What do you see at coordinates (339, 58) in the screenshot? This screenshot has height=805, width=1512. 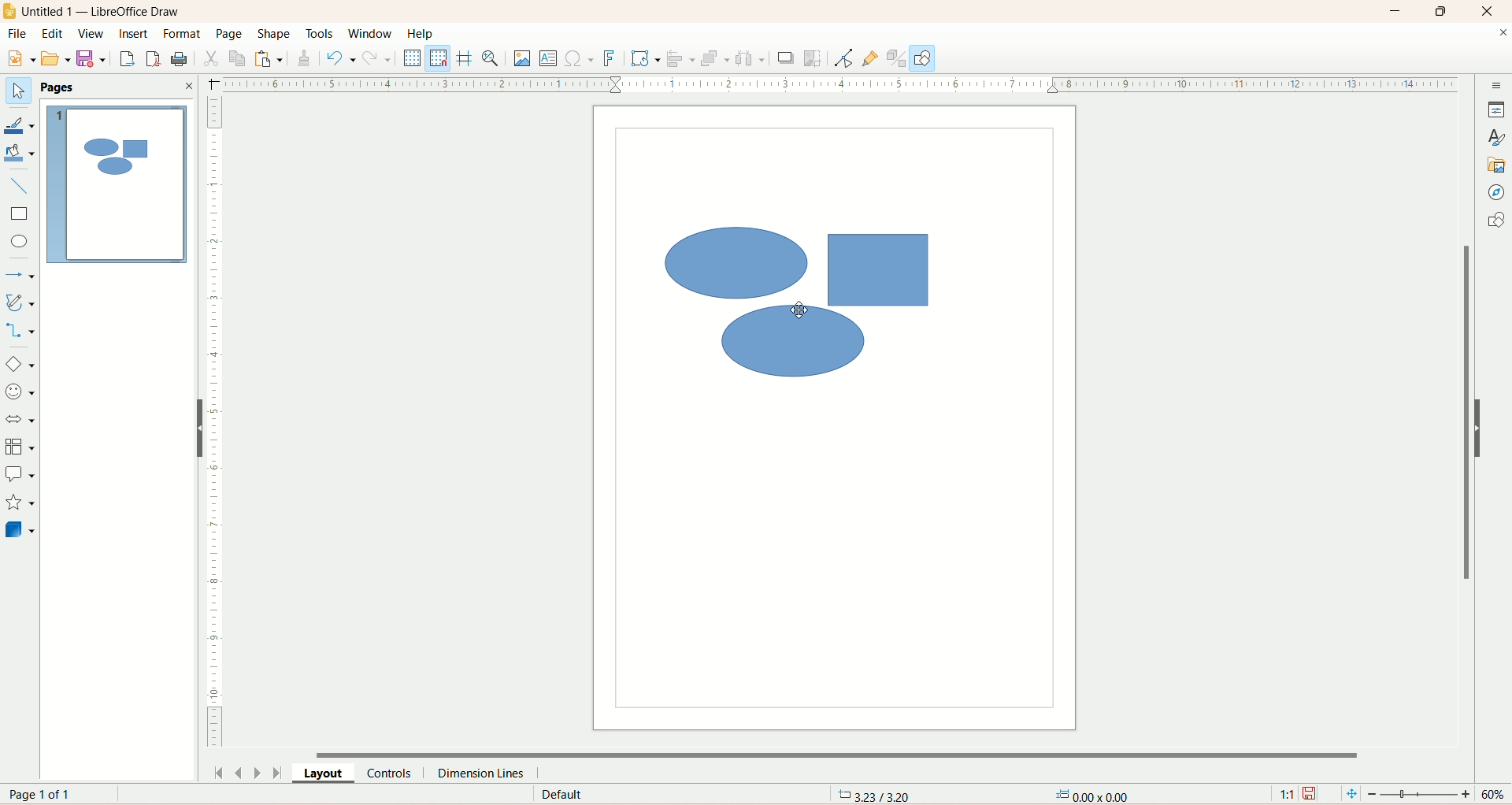 I see `undo` at bounding box center [339, 58].